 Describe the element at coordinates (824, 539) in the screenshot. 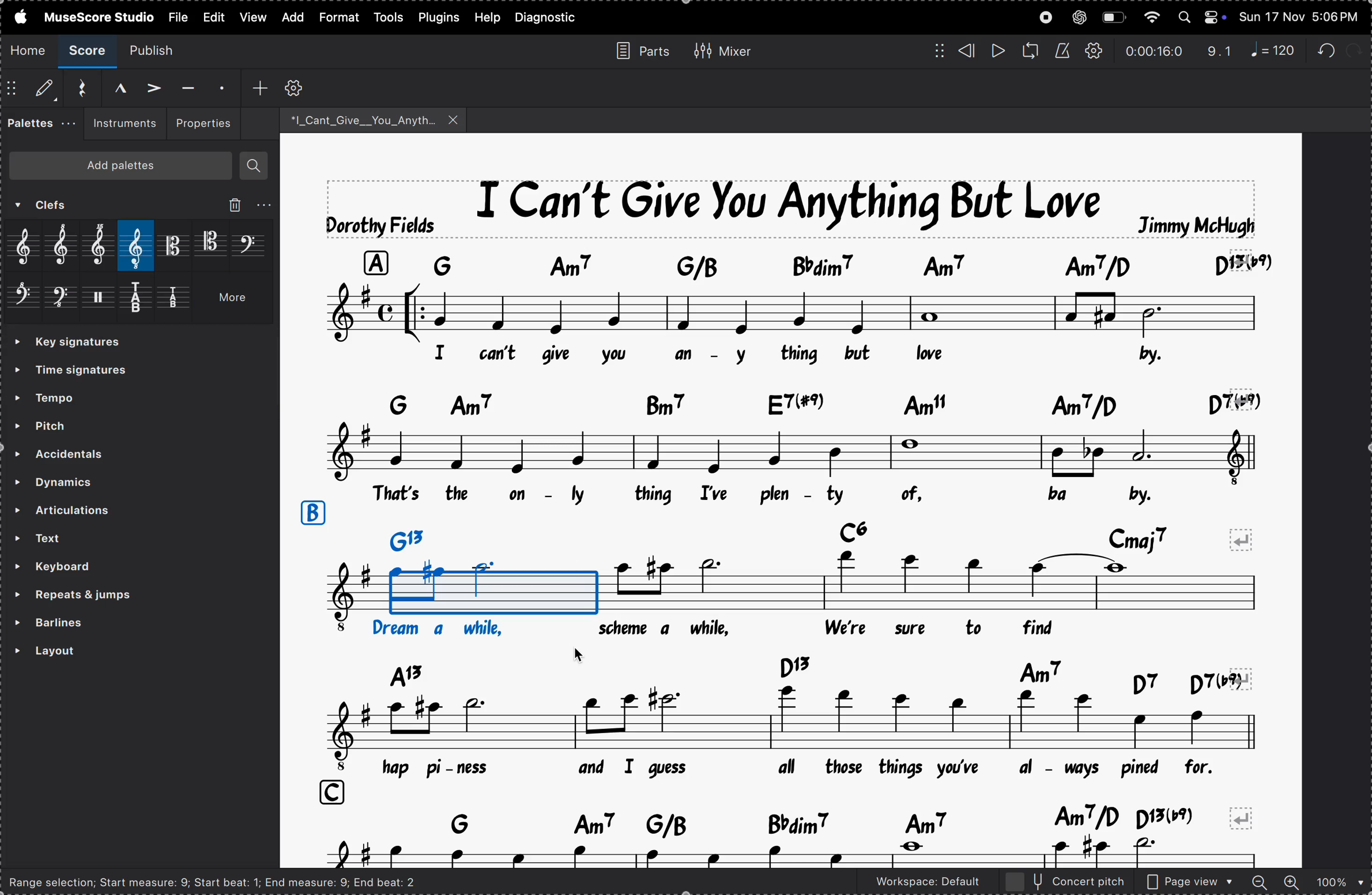

I see `key notes` at that location.